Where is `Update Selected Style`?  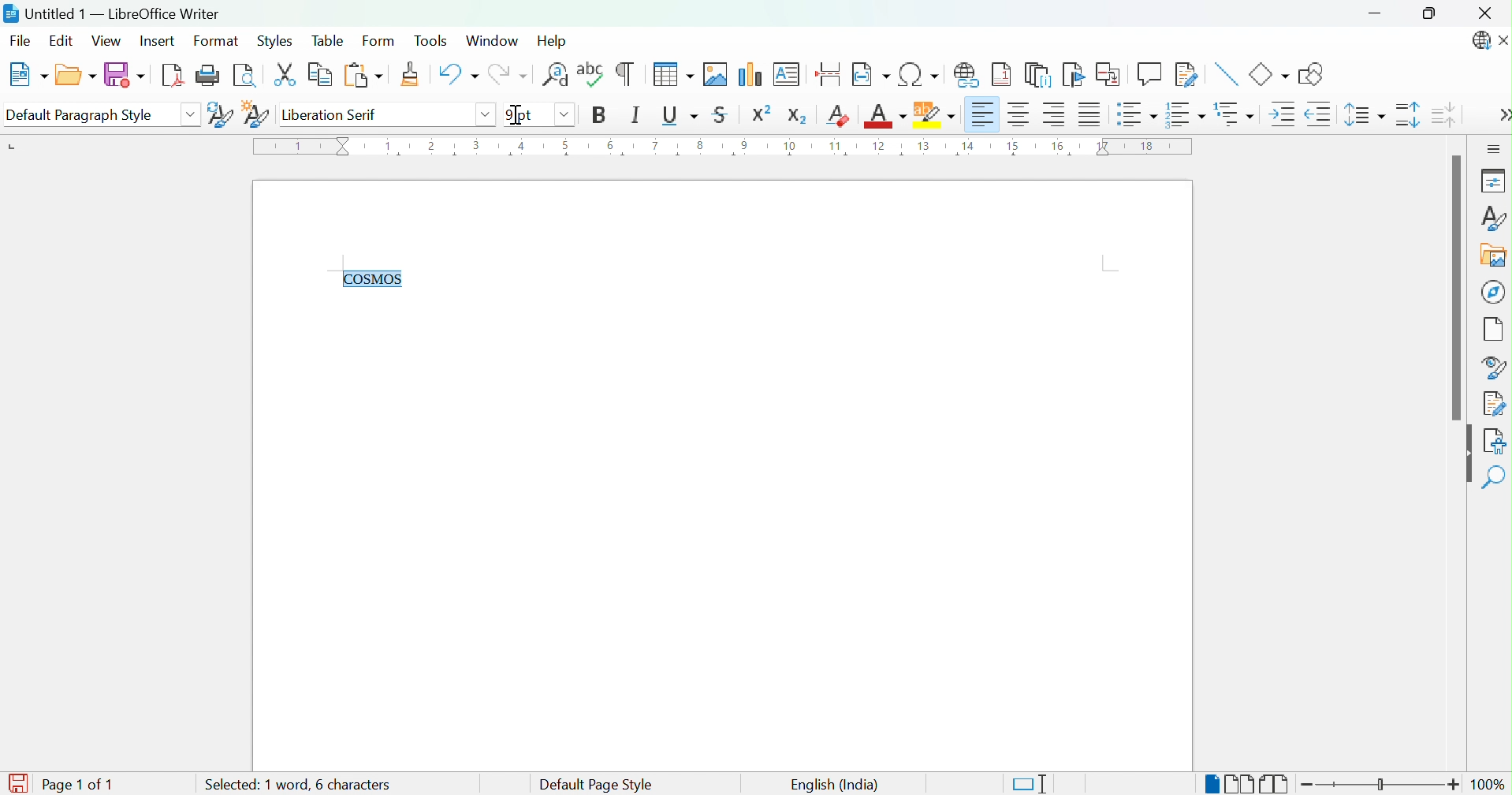
Update Selected Style is located at coordinates (218, 114).